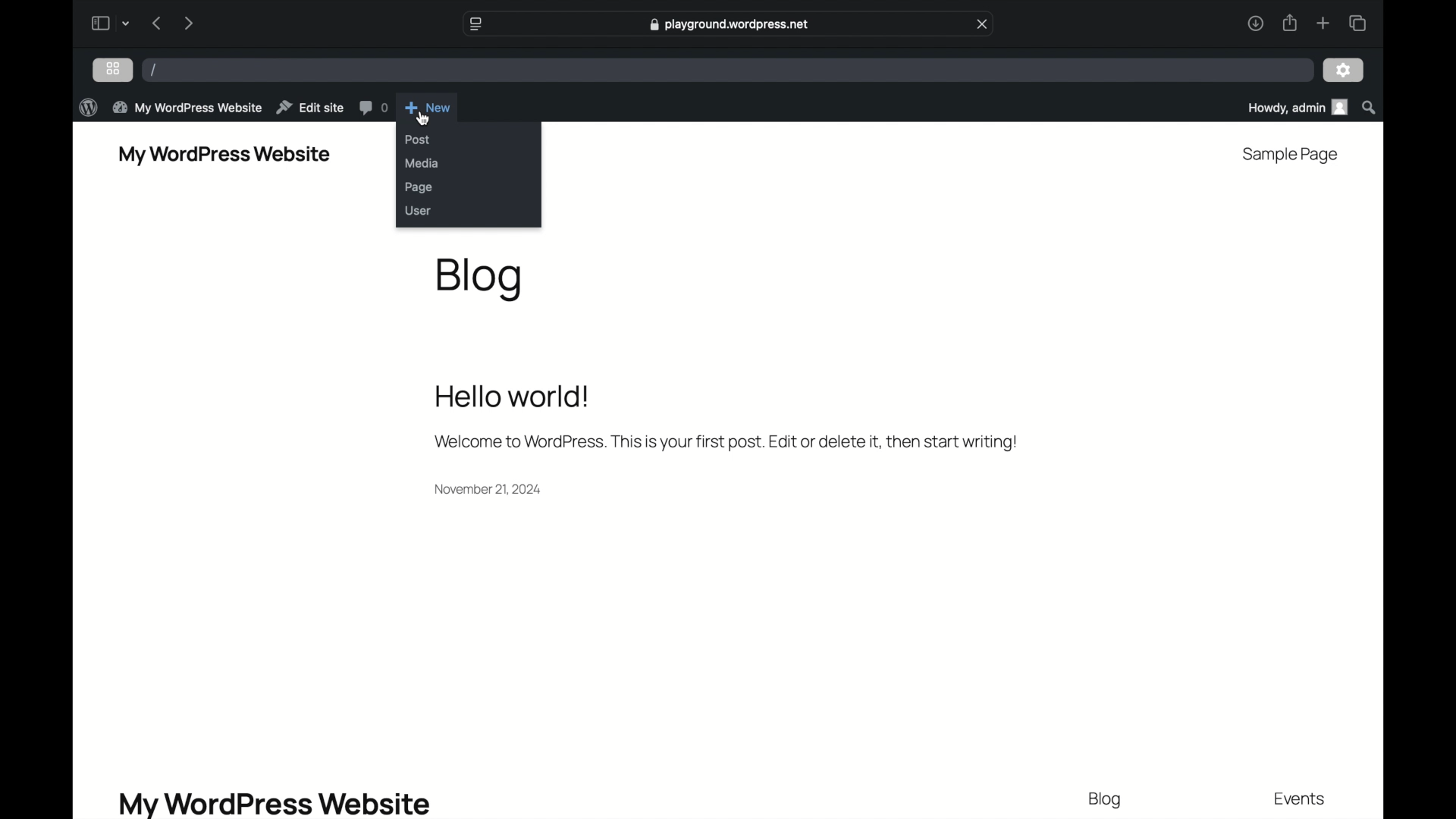 This screenshot has width=1456, height=819. What do you see at coordinates (1255, 23) in the screenshot?
I see `downloads` at bounding box center [1255, 23].